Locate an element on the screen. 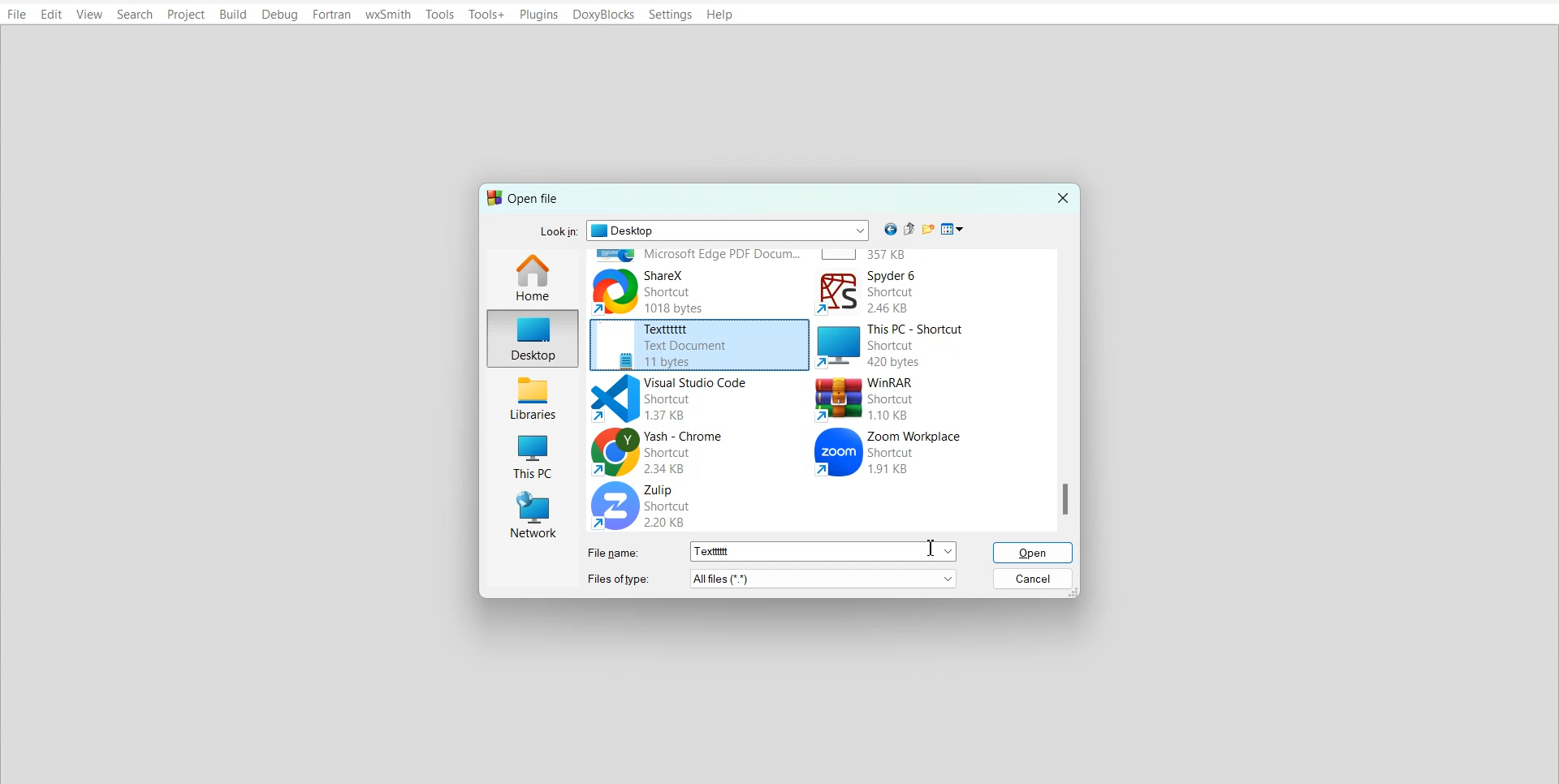  View is located at coordinates (90, 14).